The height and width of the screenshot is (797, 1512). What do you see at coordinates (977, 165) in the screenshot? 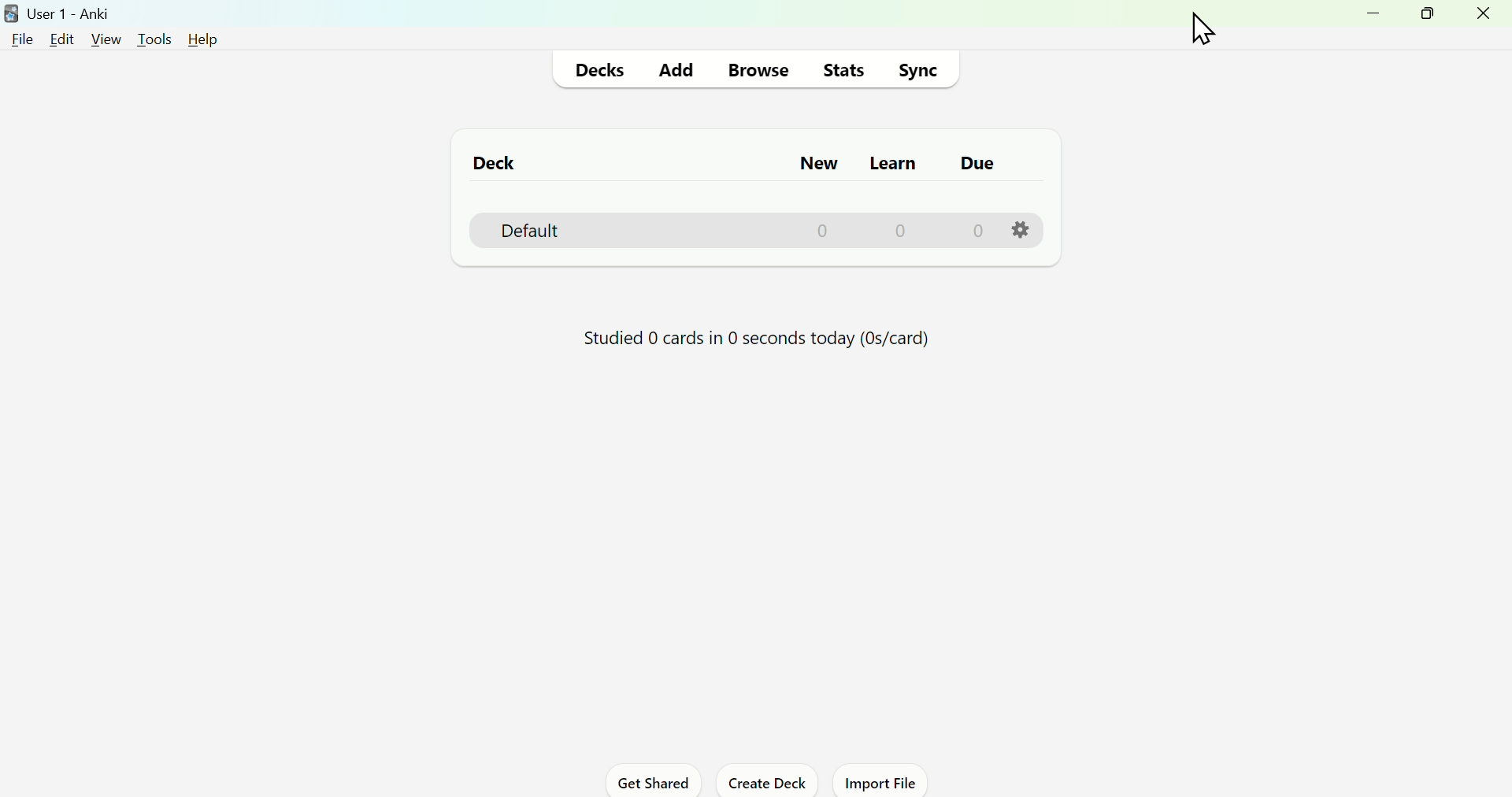
I see `Due` at bounding box center [977, 165].